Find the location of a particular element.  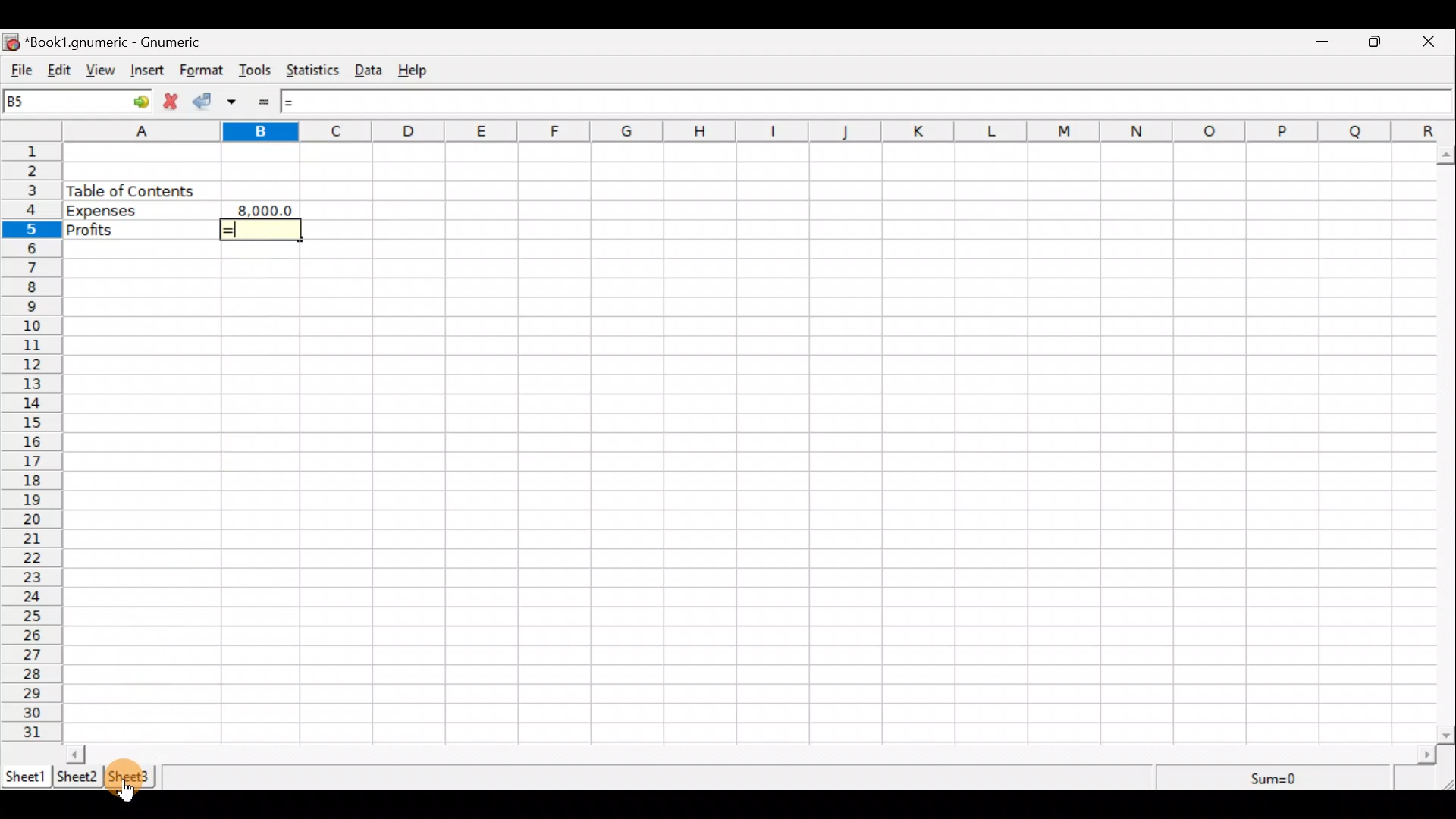

Sum=0 is located at coordinates (1276, 780).